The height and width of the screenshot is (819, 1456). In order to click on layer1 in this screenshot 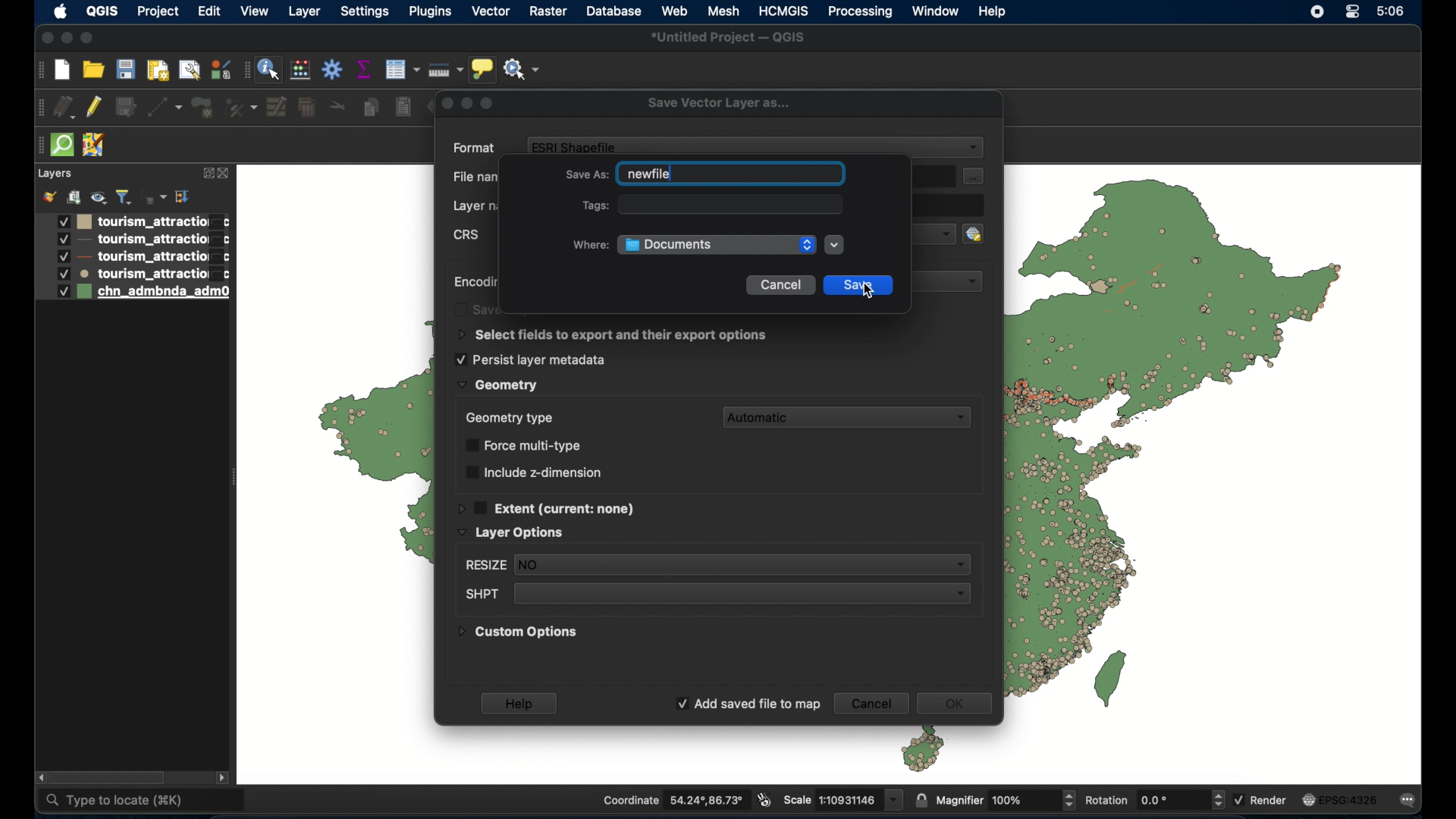, I will do `click(133, 221)`.